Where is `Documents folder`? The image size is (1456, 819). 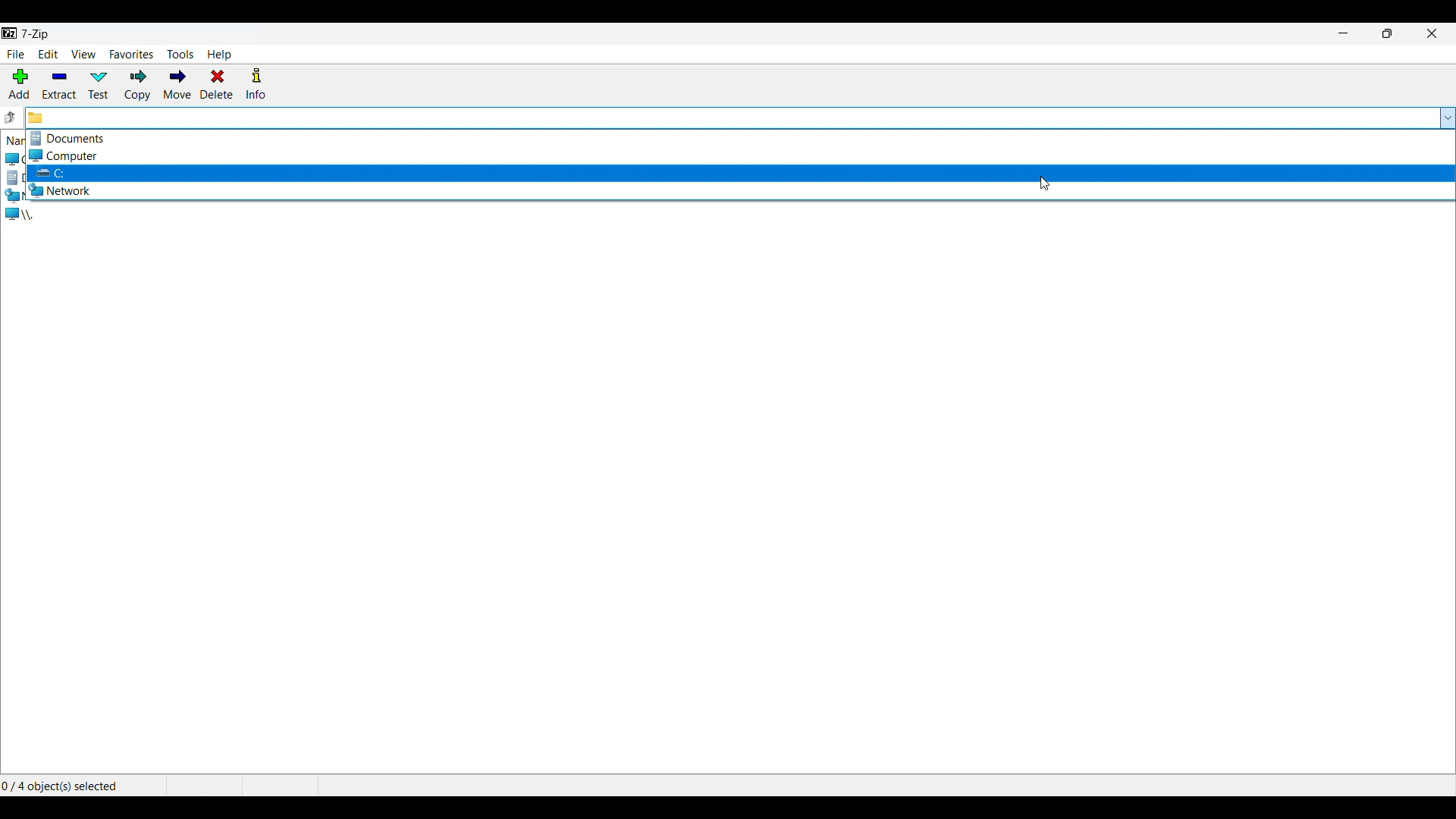 Documents folder is located at coordinates (740, 138).